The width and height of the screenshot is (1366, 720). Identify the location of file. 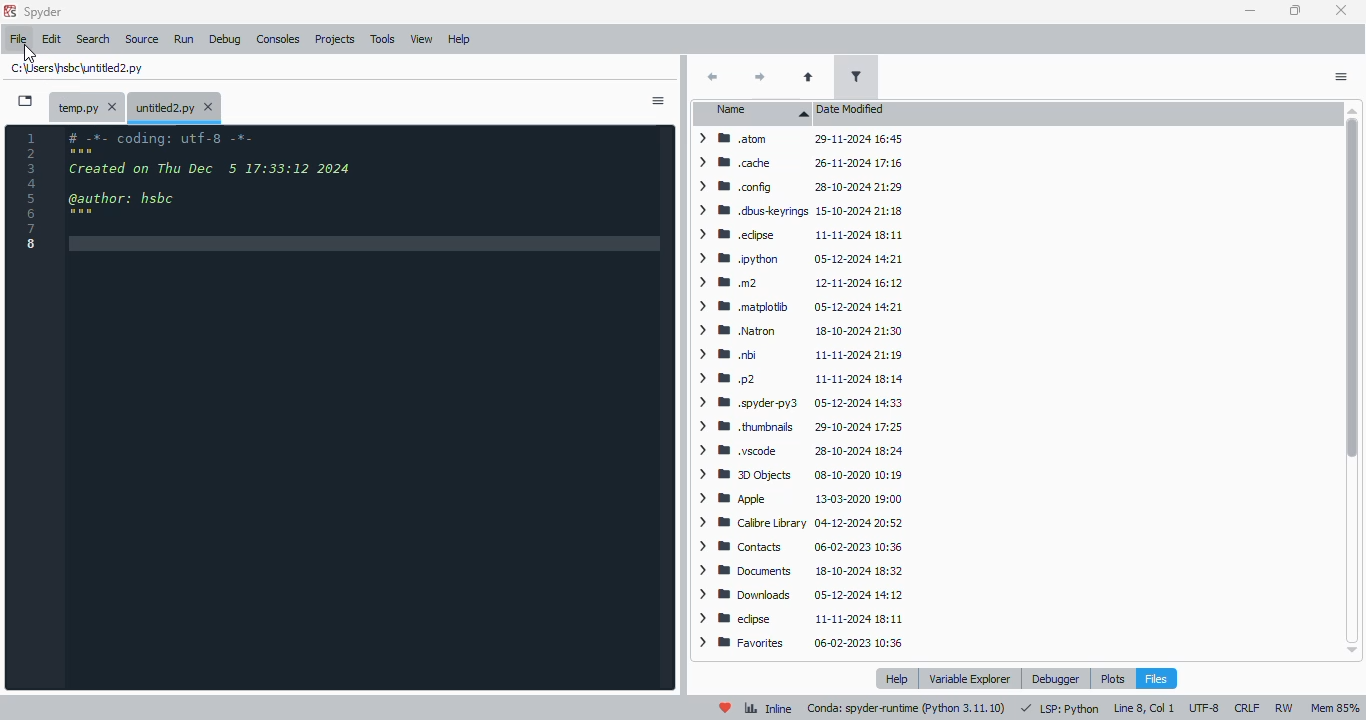
(17, 39).